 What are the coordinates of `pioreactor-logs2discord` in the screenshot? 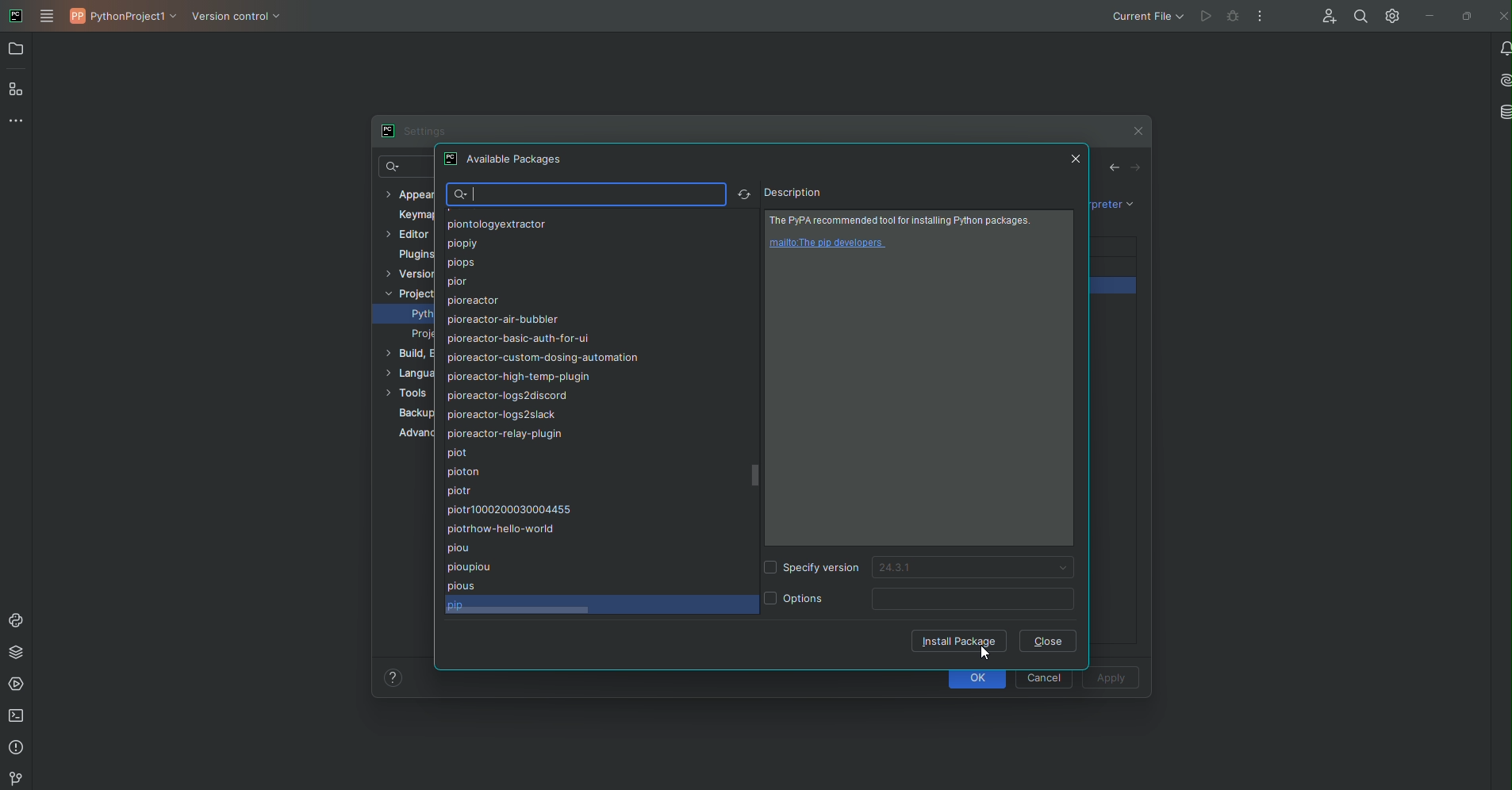 It's located at (508, 397).